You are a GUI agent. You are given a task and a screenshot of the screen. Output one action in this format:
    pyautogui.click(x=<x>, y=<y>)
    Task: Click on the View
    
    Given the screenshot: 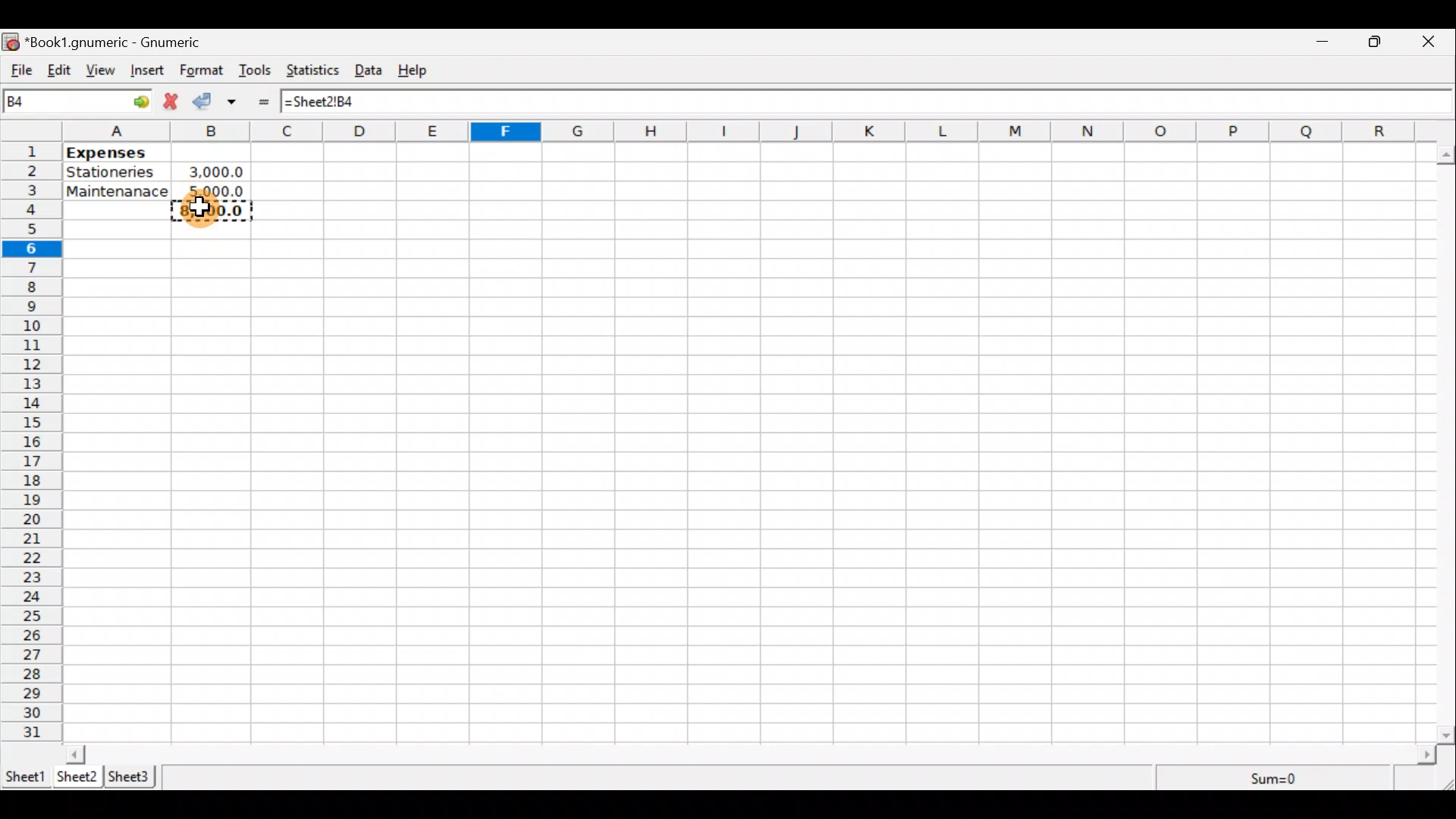 What is the action you would take?
    pyautogui.click(x=105, y=71)
    